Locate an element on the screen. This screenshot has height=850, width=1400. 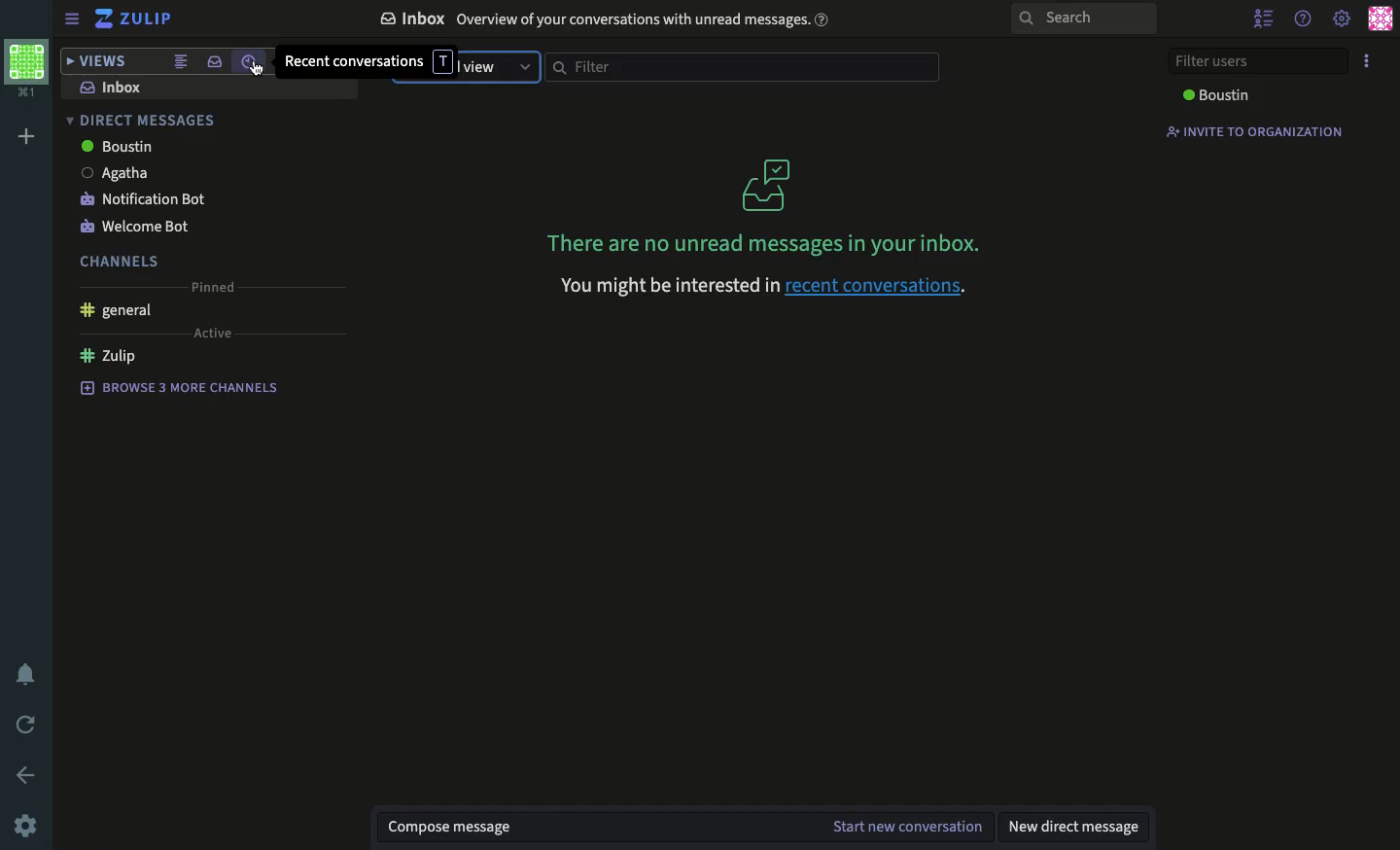
view is located at coordinates (495, 65).